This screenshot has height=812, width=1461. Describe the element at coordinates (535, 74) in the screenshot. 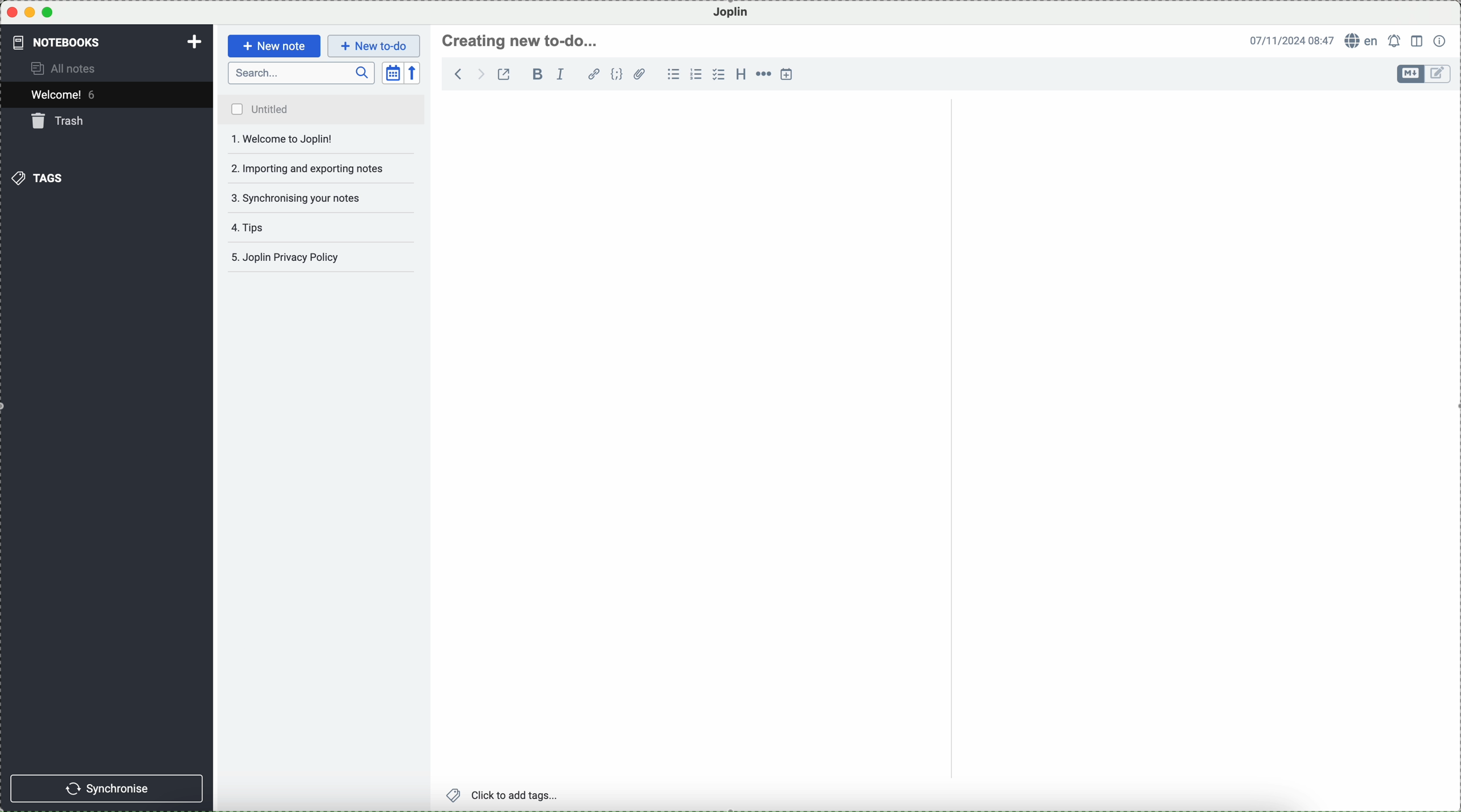

I see `bold` at that location.